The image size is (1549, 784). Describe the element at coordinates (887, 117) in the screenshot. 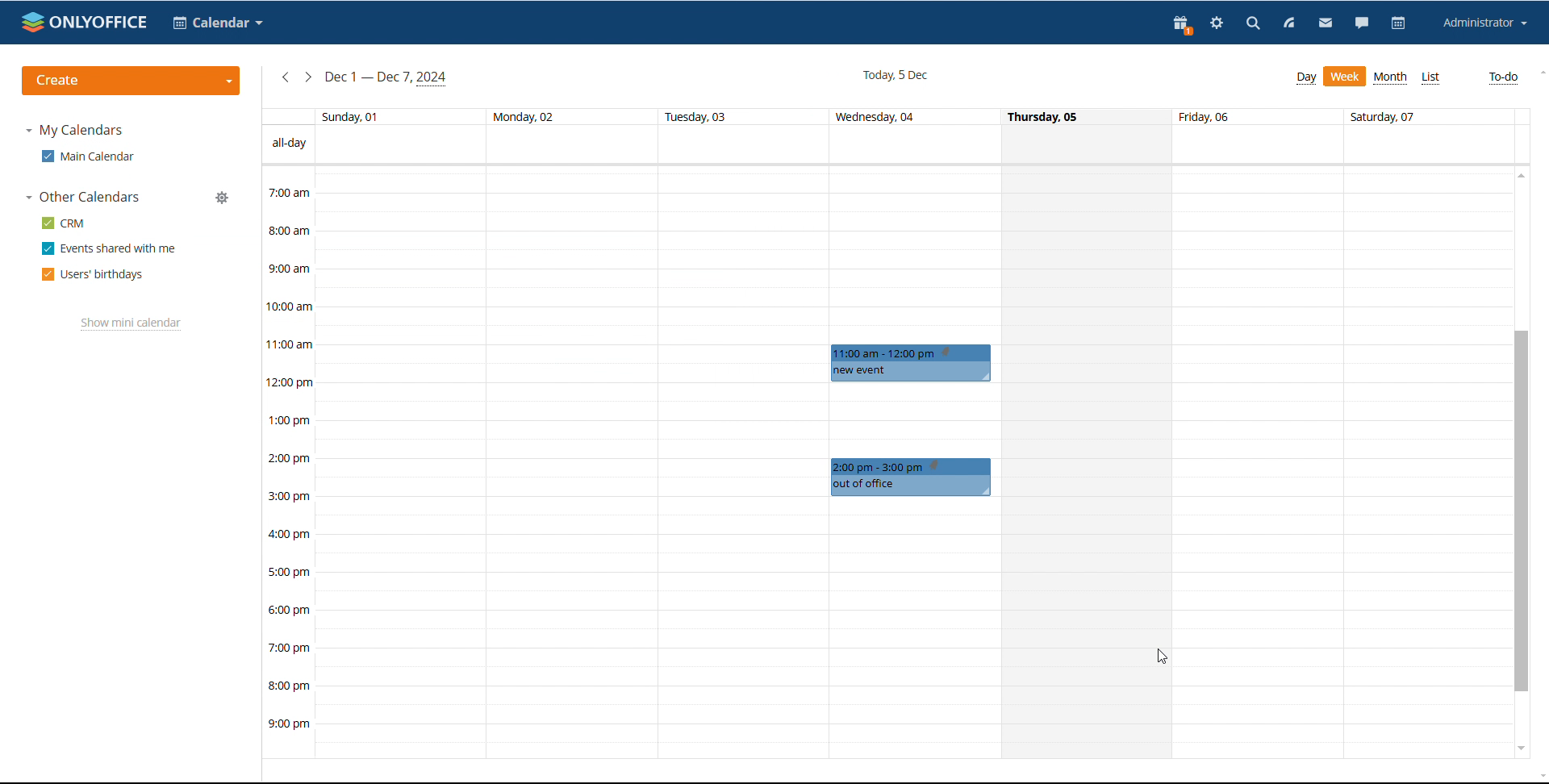

I see `days` at that location.